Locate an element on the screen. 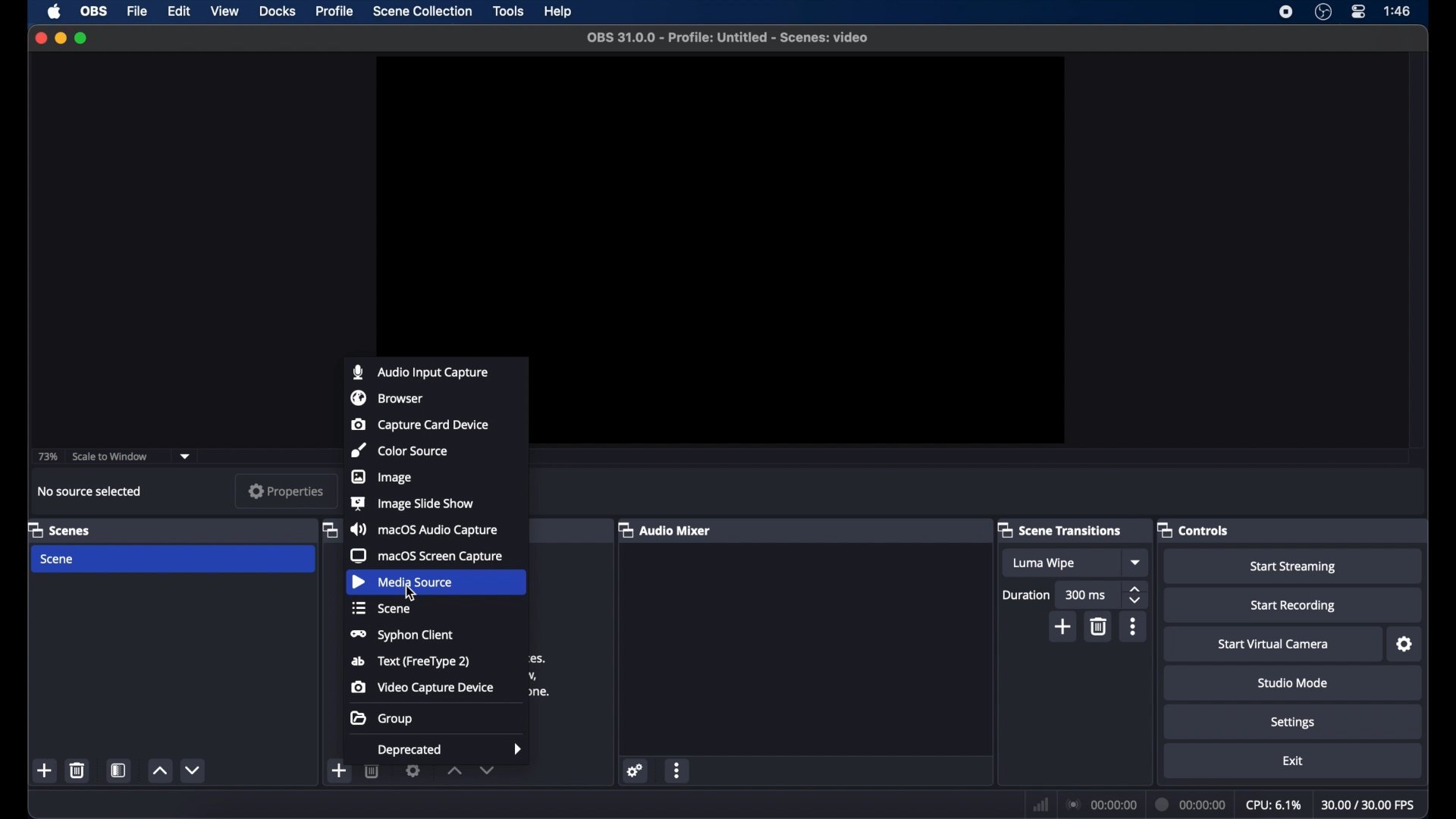 This screenshot has width=1456, height=819. view is located at coordinates (224, 10).